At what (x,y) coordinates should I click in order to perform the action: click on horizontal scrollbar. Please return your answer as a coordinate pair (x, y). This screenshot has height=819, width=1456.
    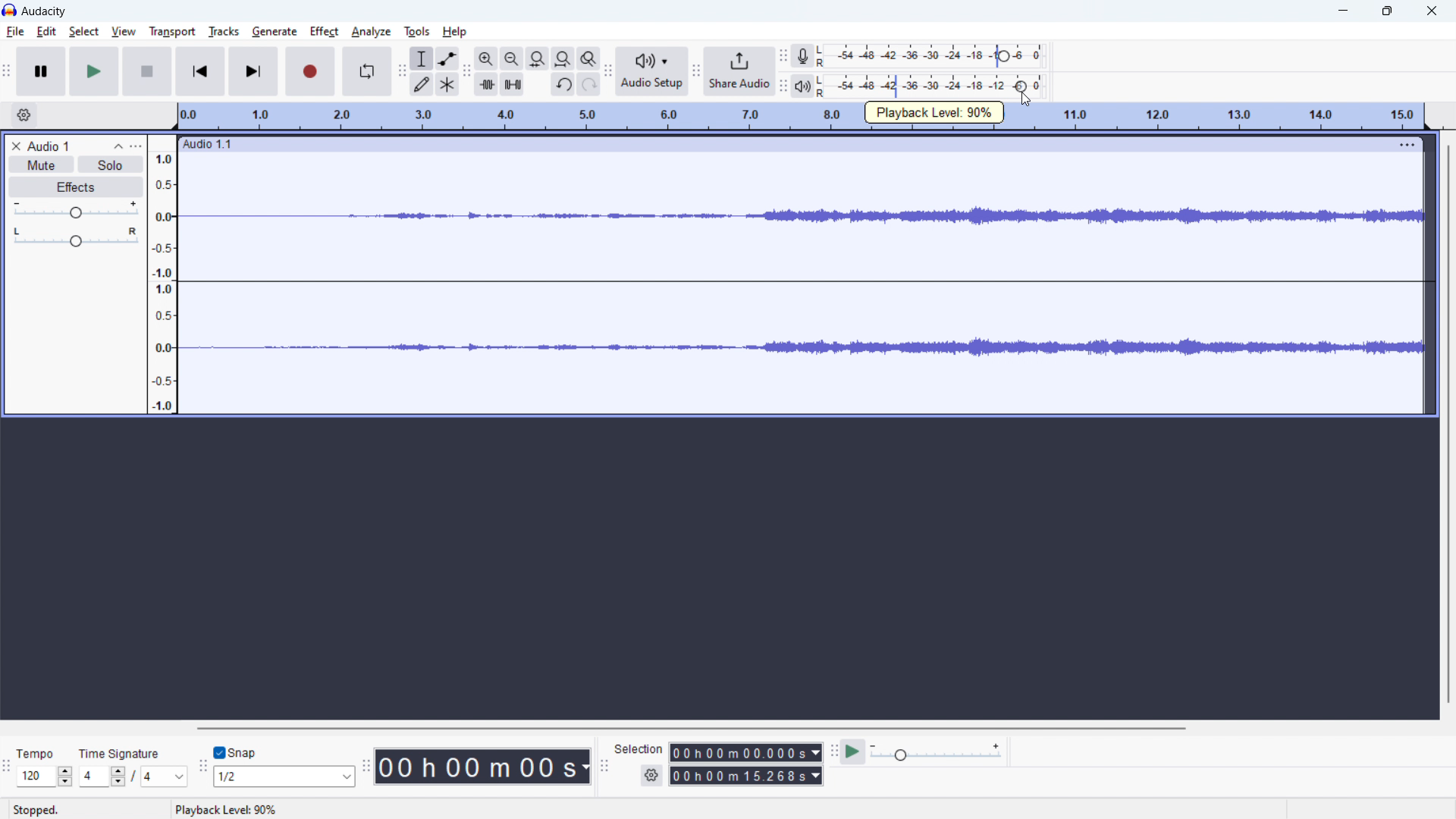
    Looking at the image, I should click on (687, 727).